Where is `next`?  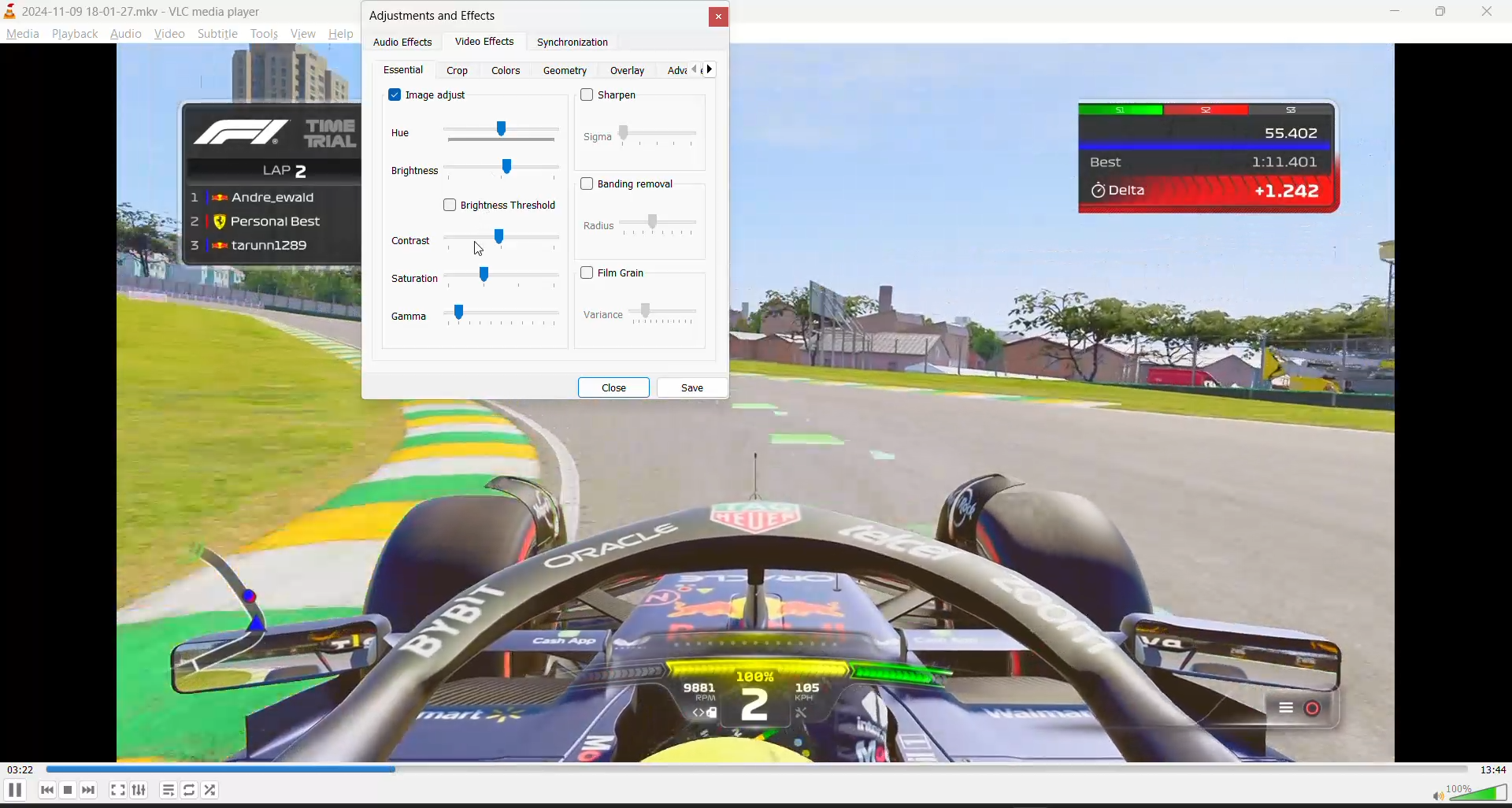
next is located at coordinates (90, 790).